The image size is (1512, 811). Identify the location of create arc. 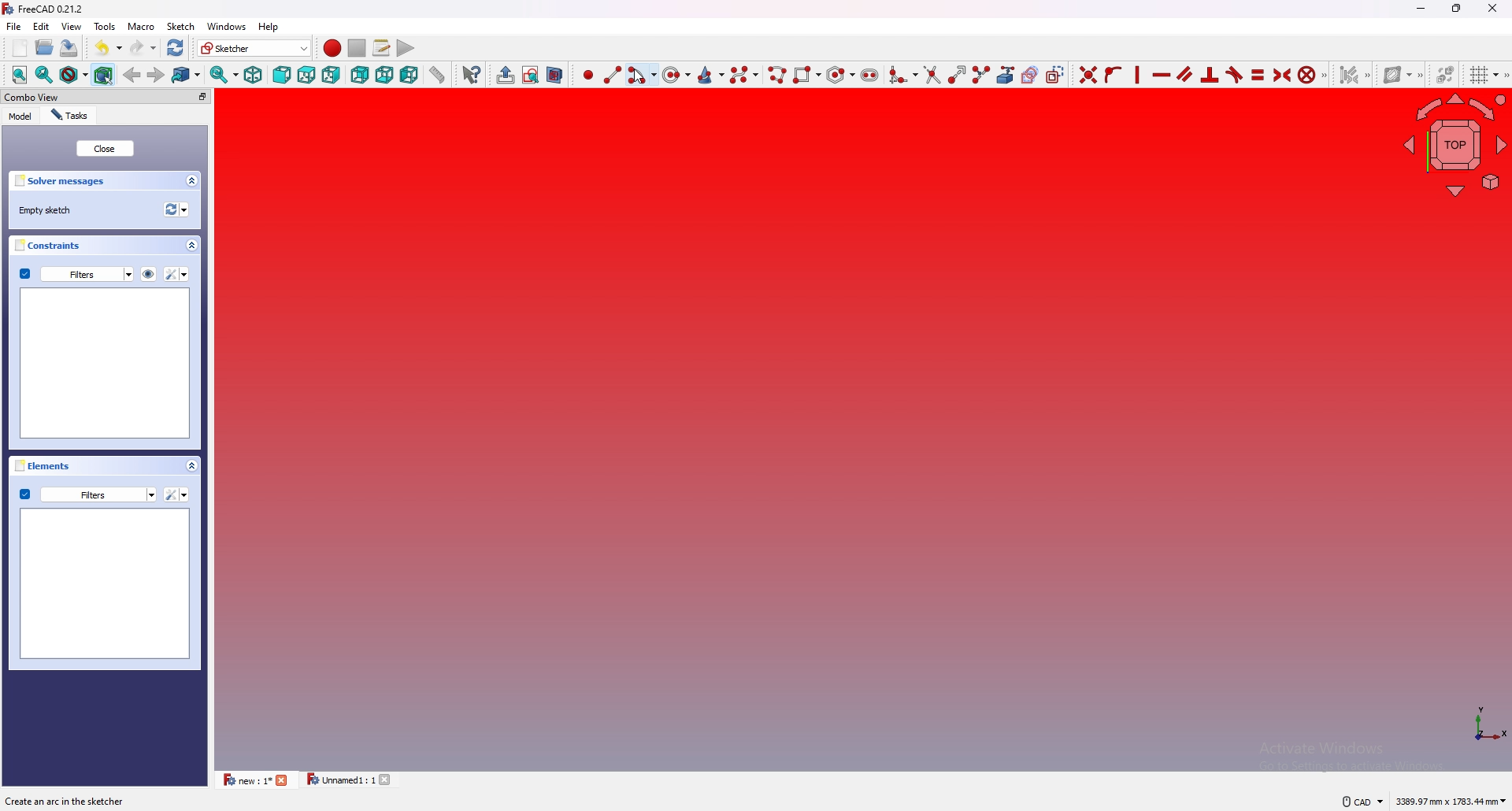
(641, 76).